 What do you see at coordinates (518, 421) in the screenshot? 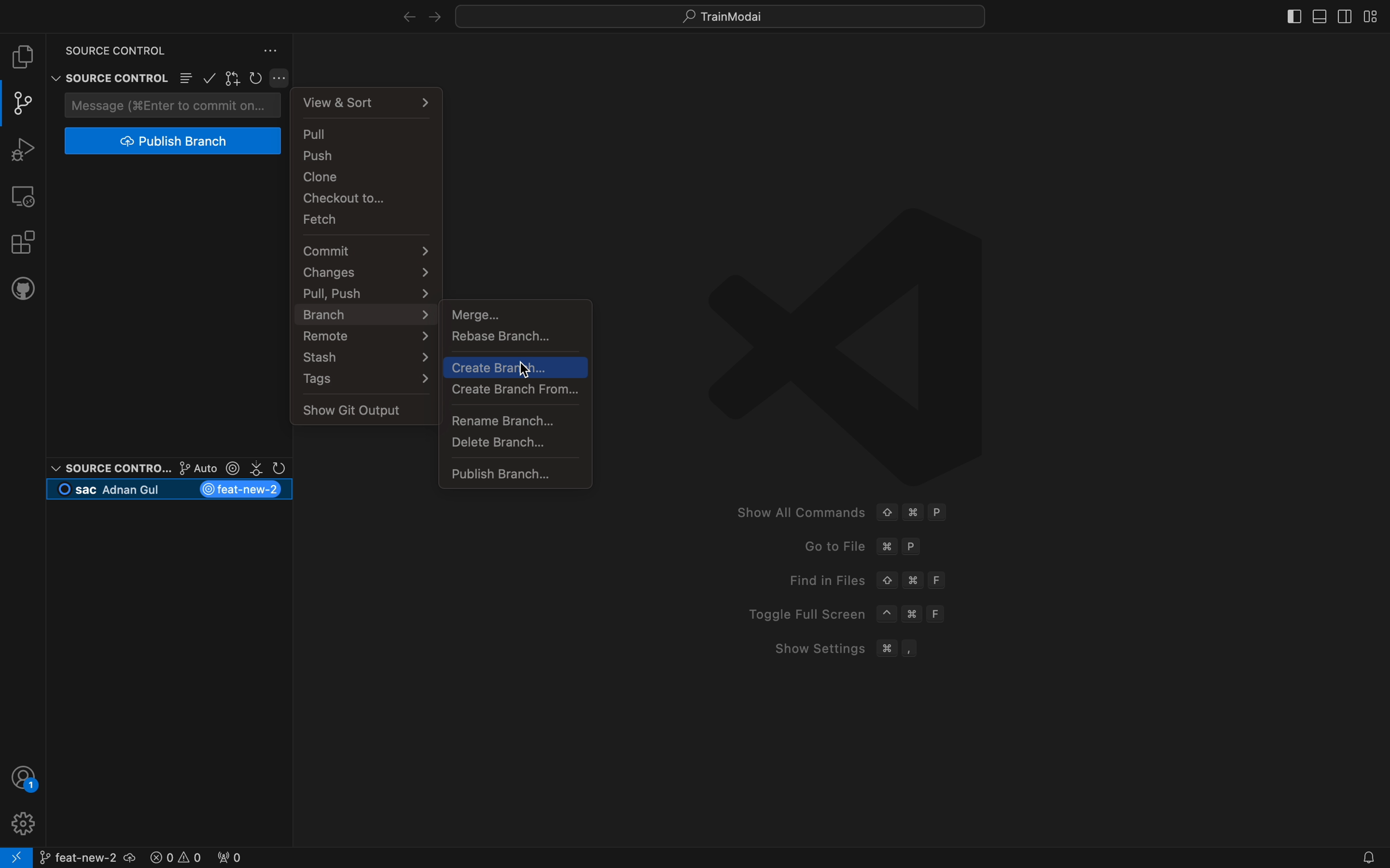
I see `` at bounding box center [518, 421].